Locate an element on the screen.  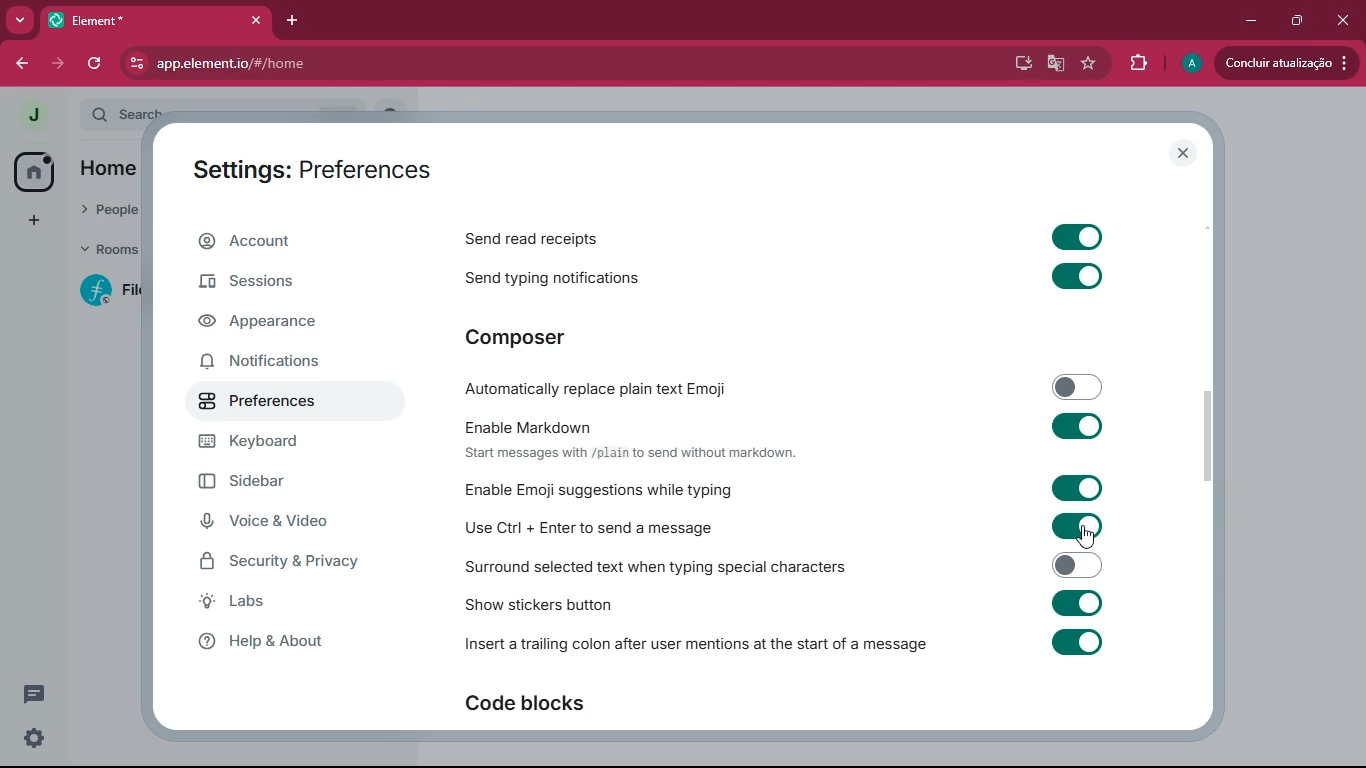
enable emoji is located at coordinates (600, 490).